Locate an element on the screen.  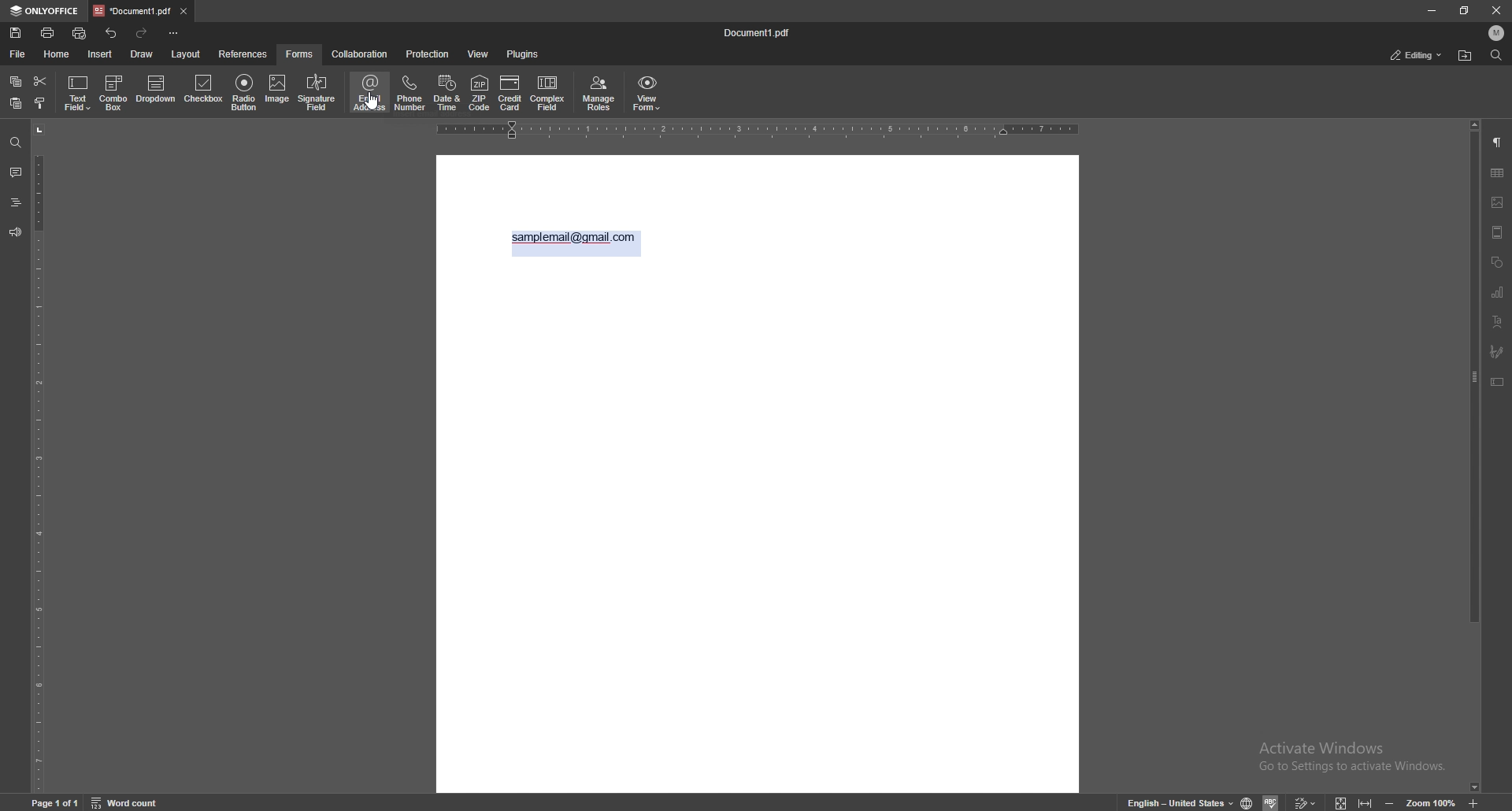
find is located at coordinates (16, 142).